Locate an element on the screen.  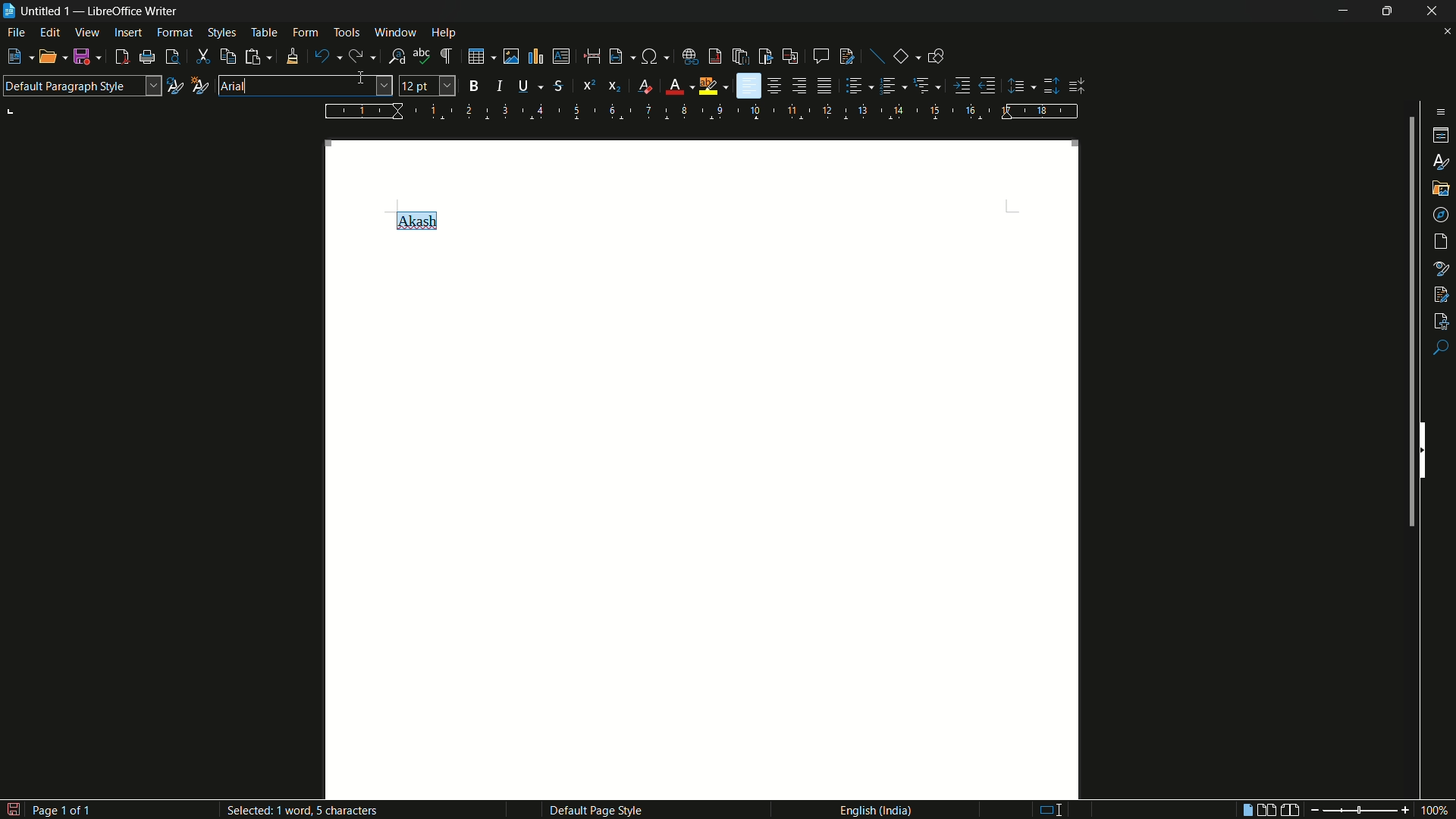
insert chart is located at coordinates (535, 55).